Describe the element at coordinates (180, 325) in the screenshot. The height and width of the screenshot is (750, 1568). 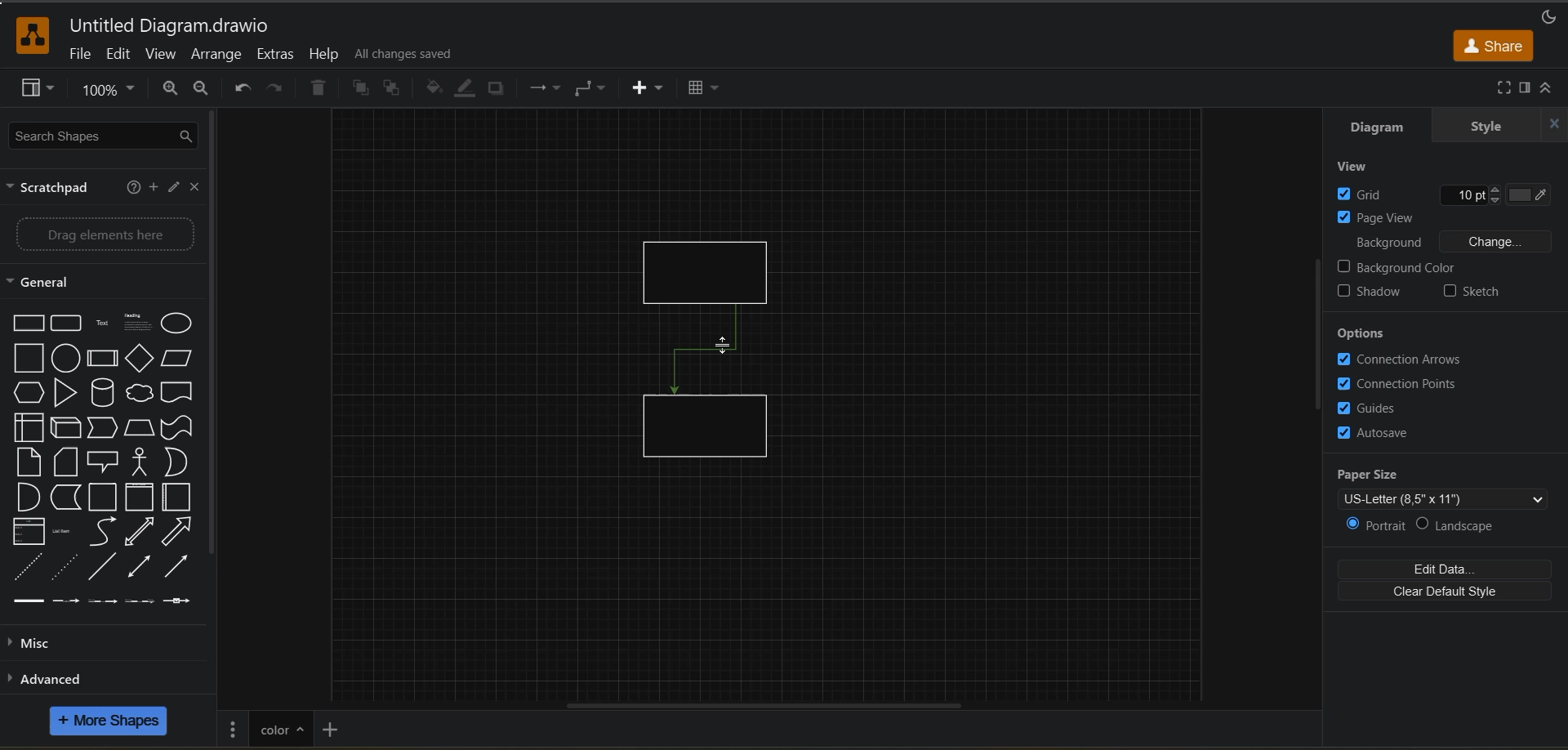
I see `Eclipse` at that location.